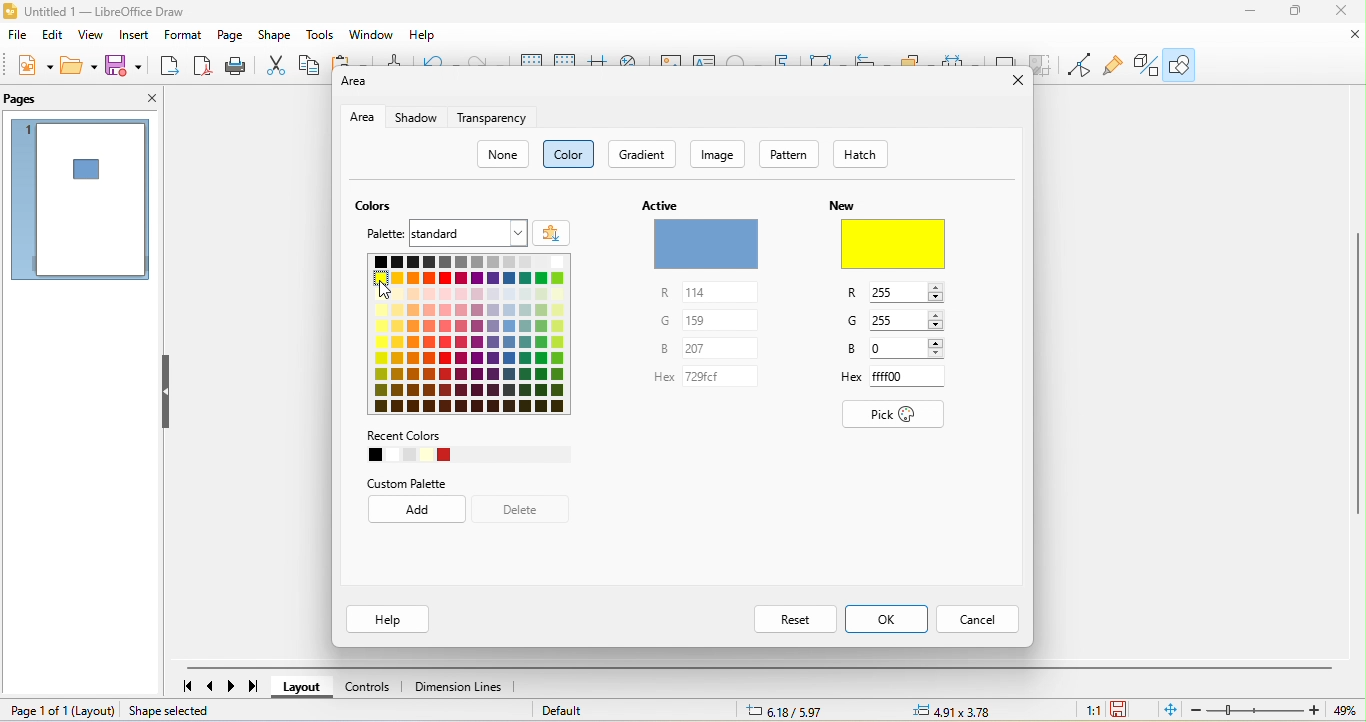 This screenshot has width=1366, height=722. What do you see at coordinates (898, 414) in the screenshot?
I see `pick` at bounding box center [898, 414].